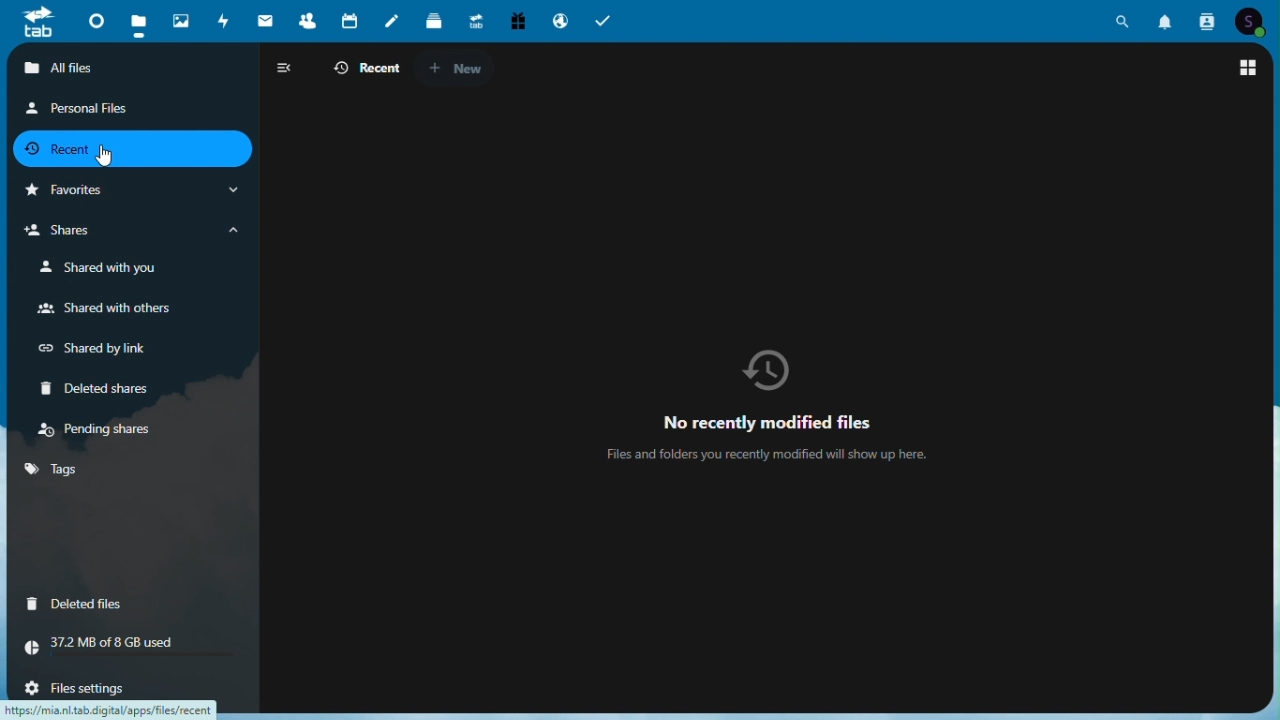 The width and height of the screenshot is (1280, 720). What do you see at coordinates (93, 389) in the screenshot?
I see `Deleted shares` at bounding box center [93, 389].